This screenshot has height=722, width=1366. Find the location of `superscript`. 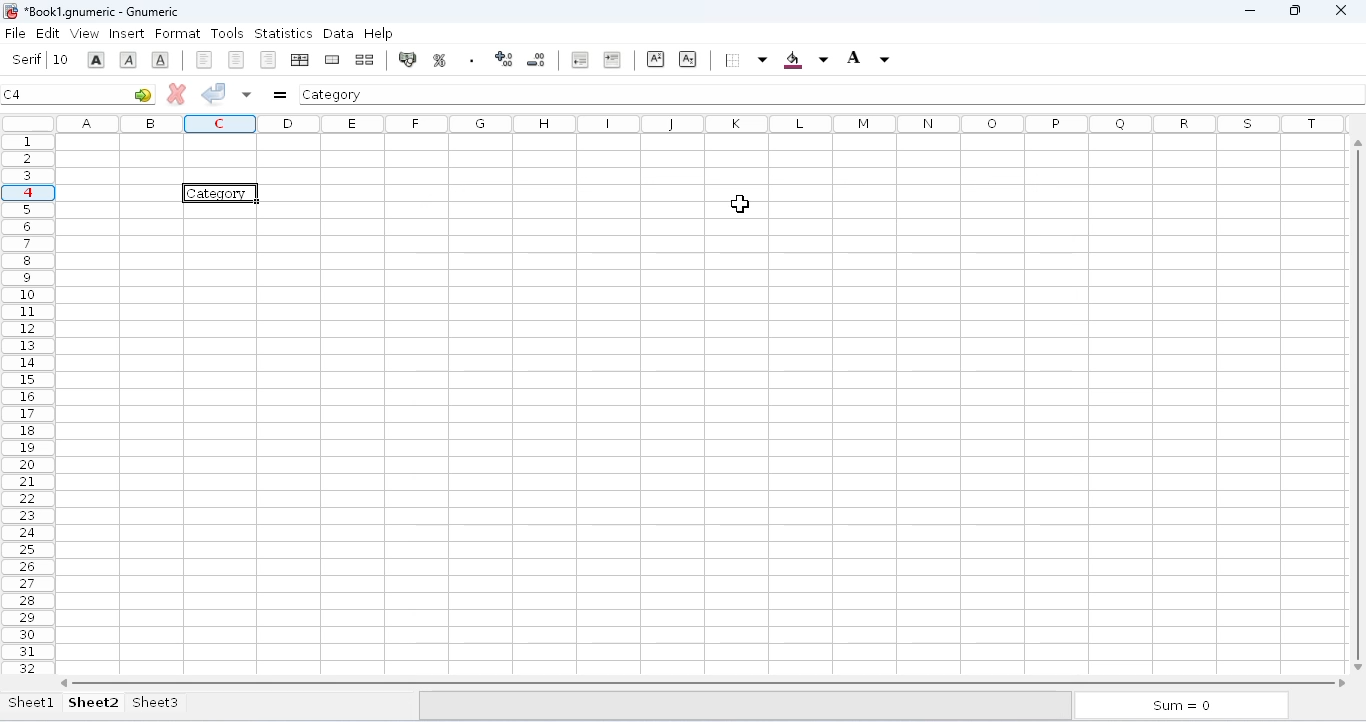

superscript is located at coordinates (693, 59).